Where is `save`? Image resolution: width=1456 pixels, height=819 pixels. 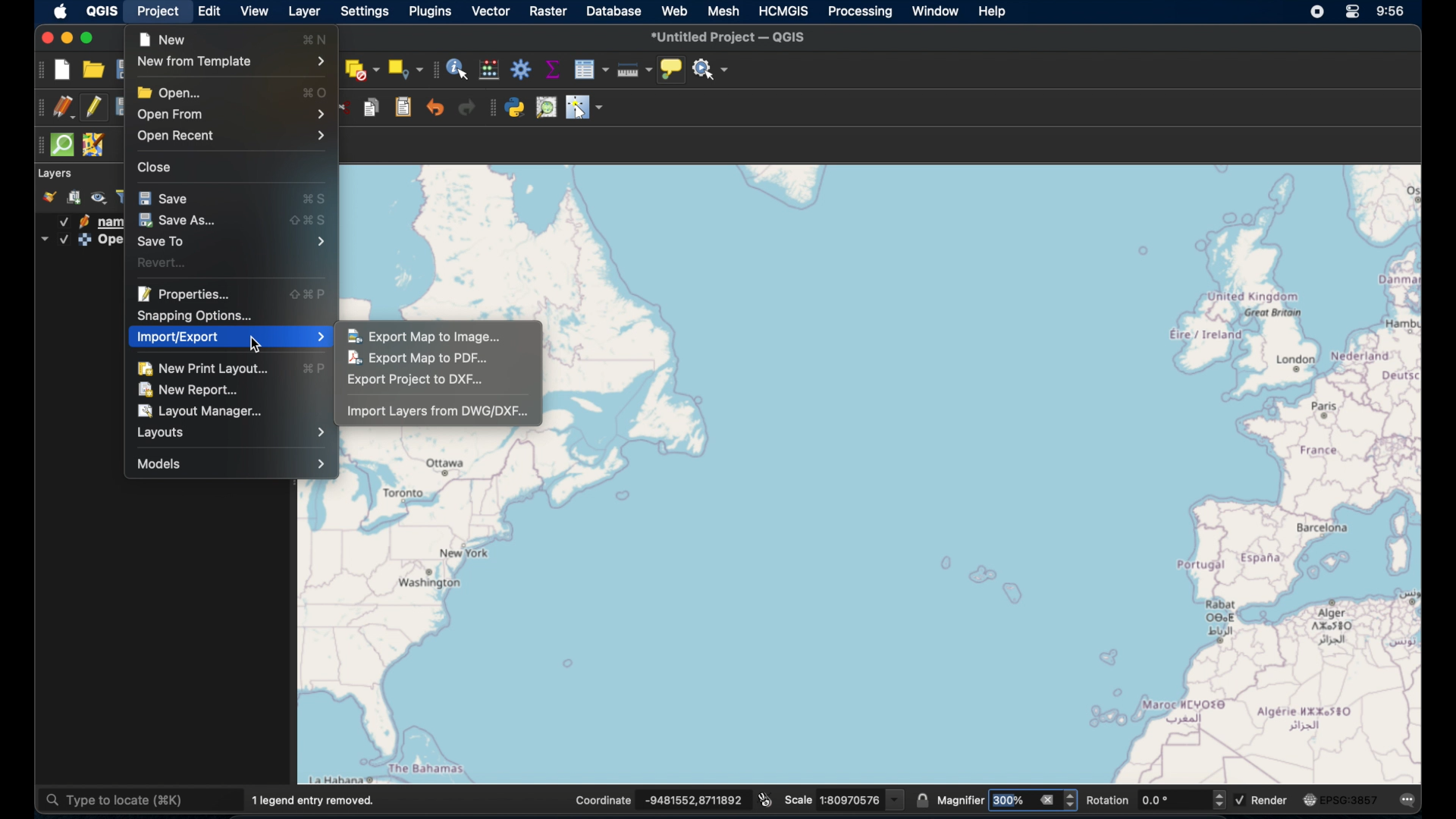 save is located at coordinates (165, 197).